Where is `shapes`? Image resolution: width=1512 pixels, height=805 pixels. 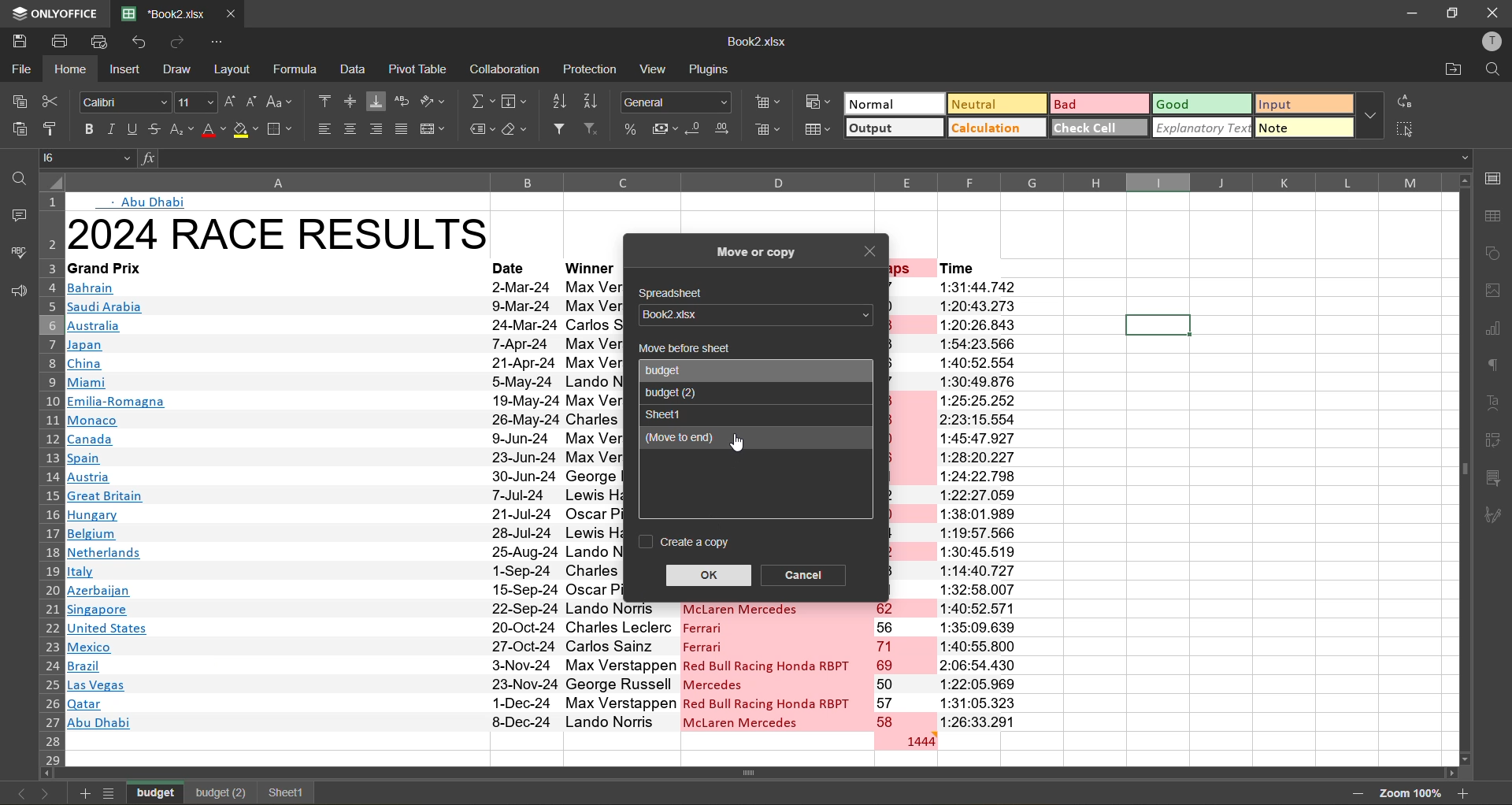
shapes is located at coordinates (1495, 254).